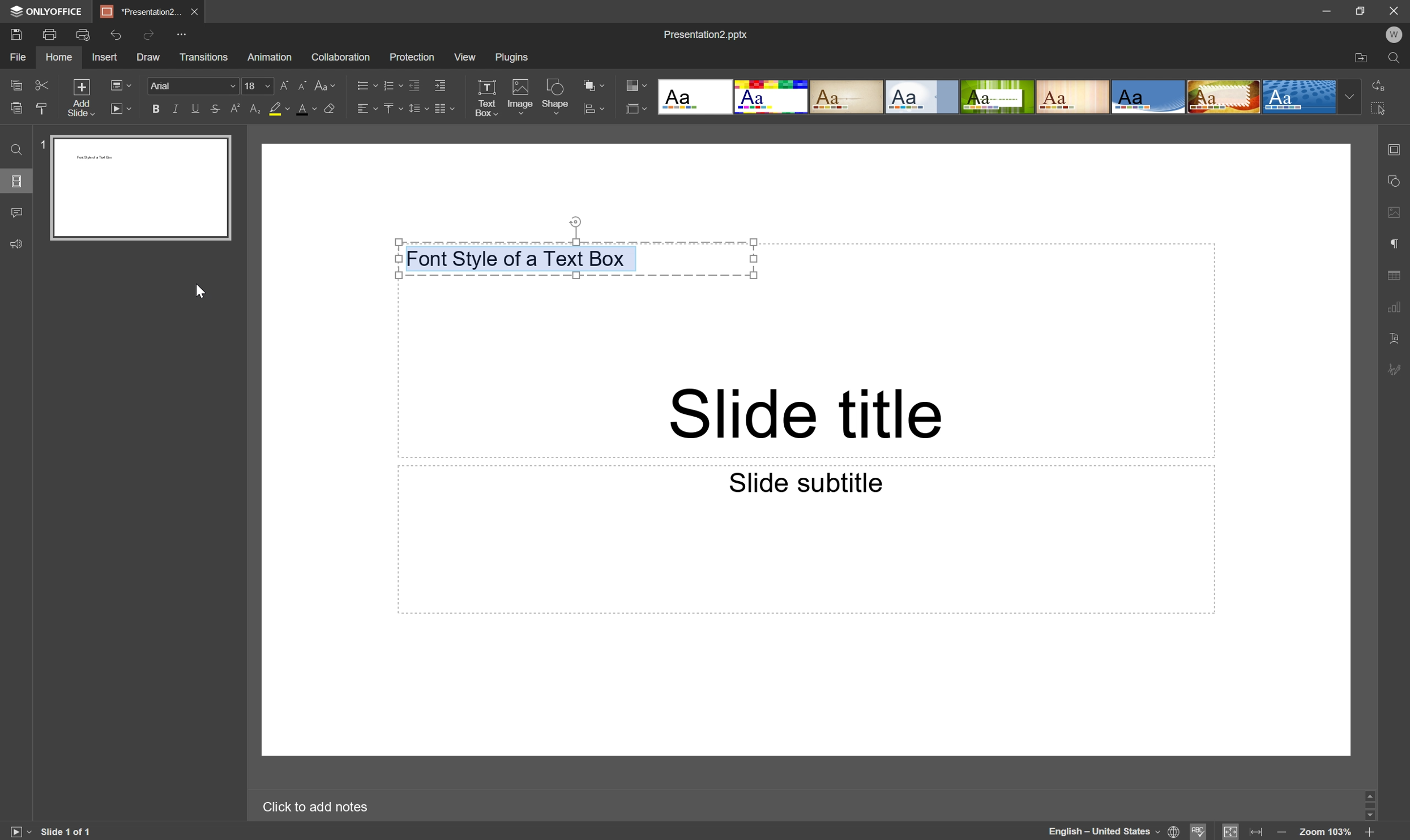 Image resolution: width=1410 pixels, height=840 pixels. What do you see at coordinates (216, 108) in the screenshot?
I see `Strikethrough` at bounding box center [216, 108].